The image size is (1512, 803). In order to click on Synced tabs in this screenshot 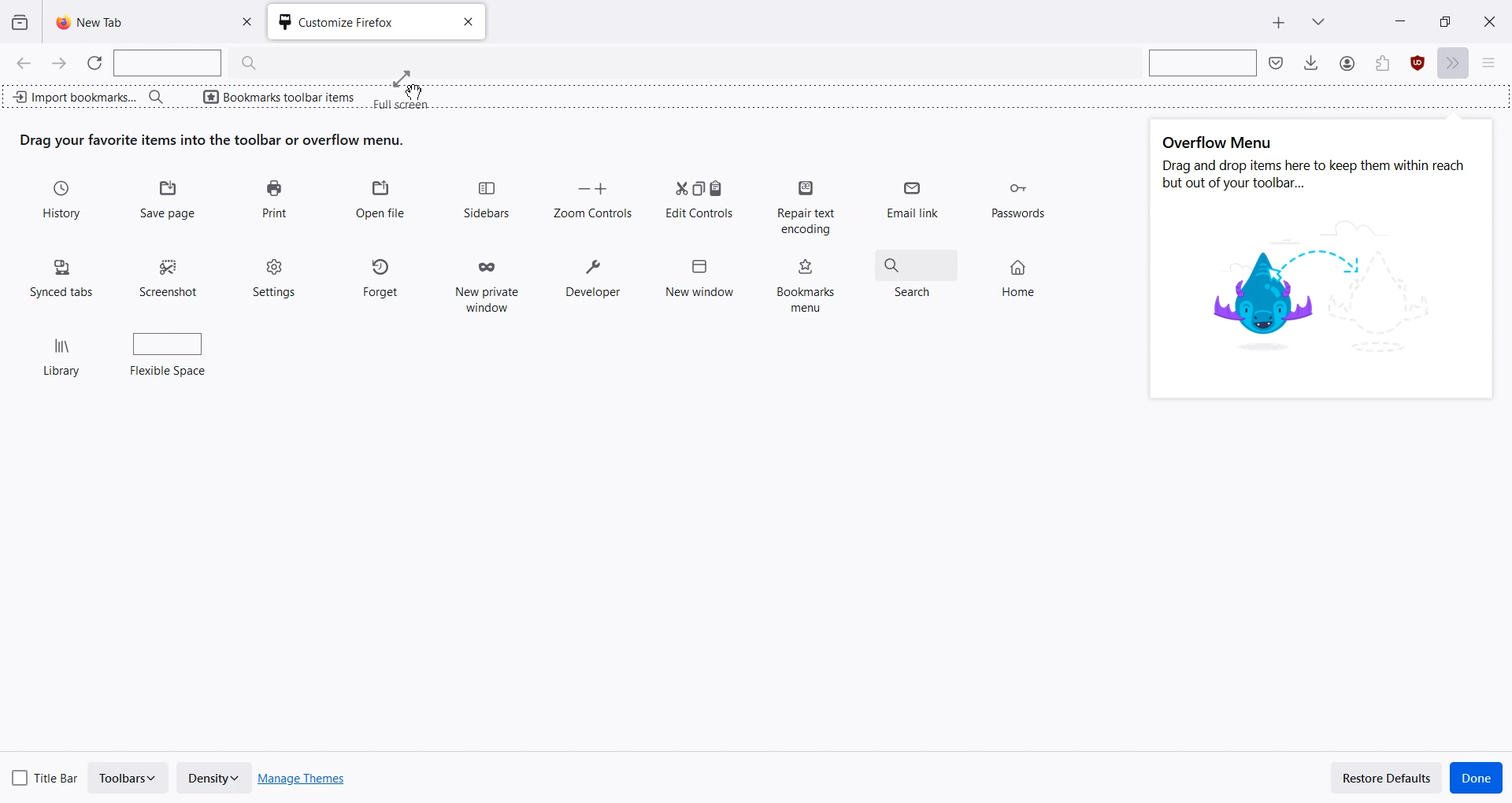, I will do `click(62, 276)`.